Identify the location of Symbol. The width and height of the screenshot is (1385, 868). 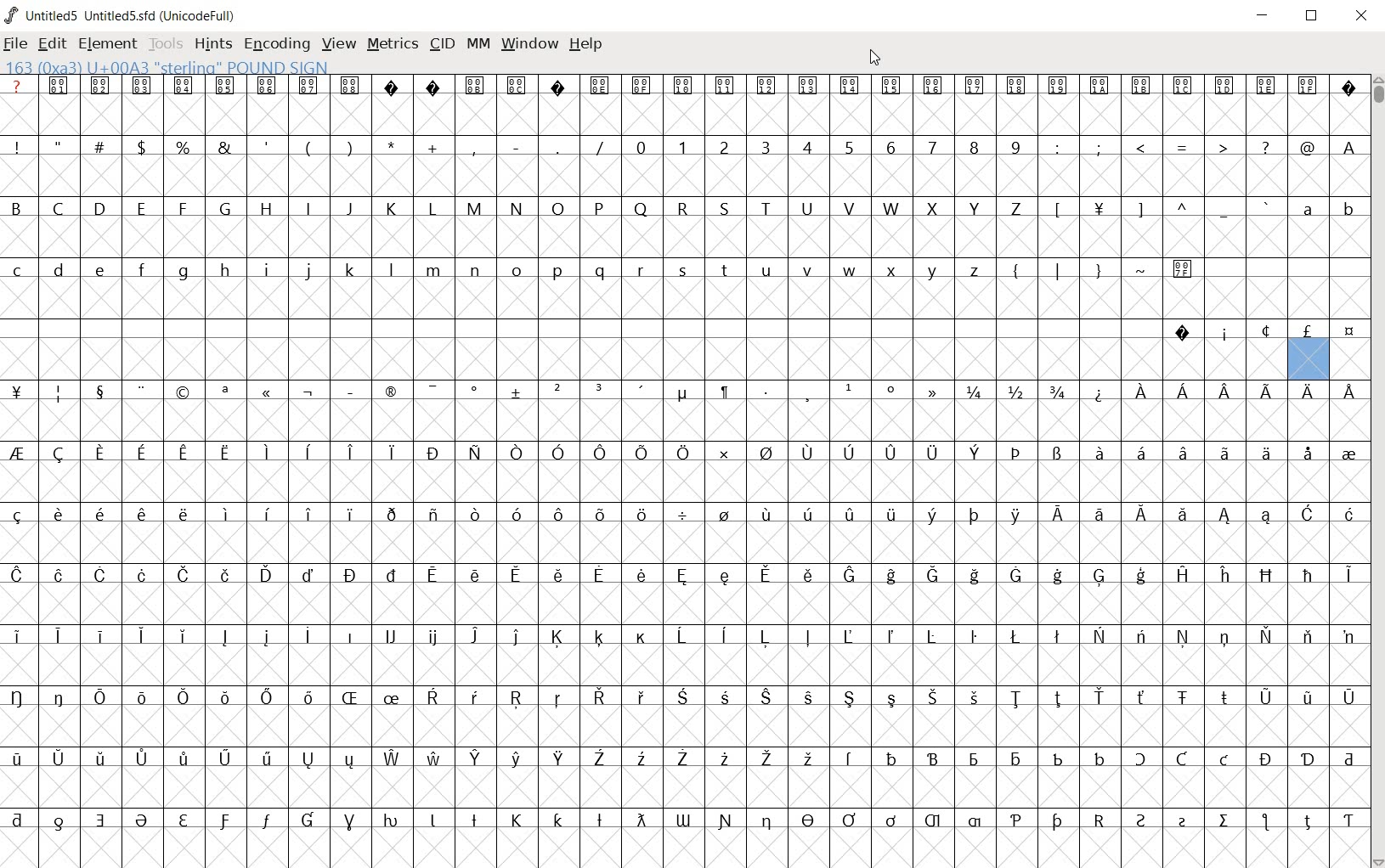
(139, 514).